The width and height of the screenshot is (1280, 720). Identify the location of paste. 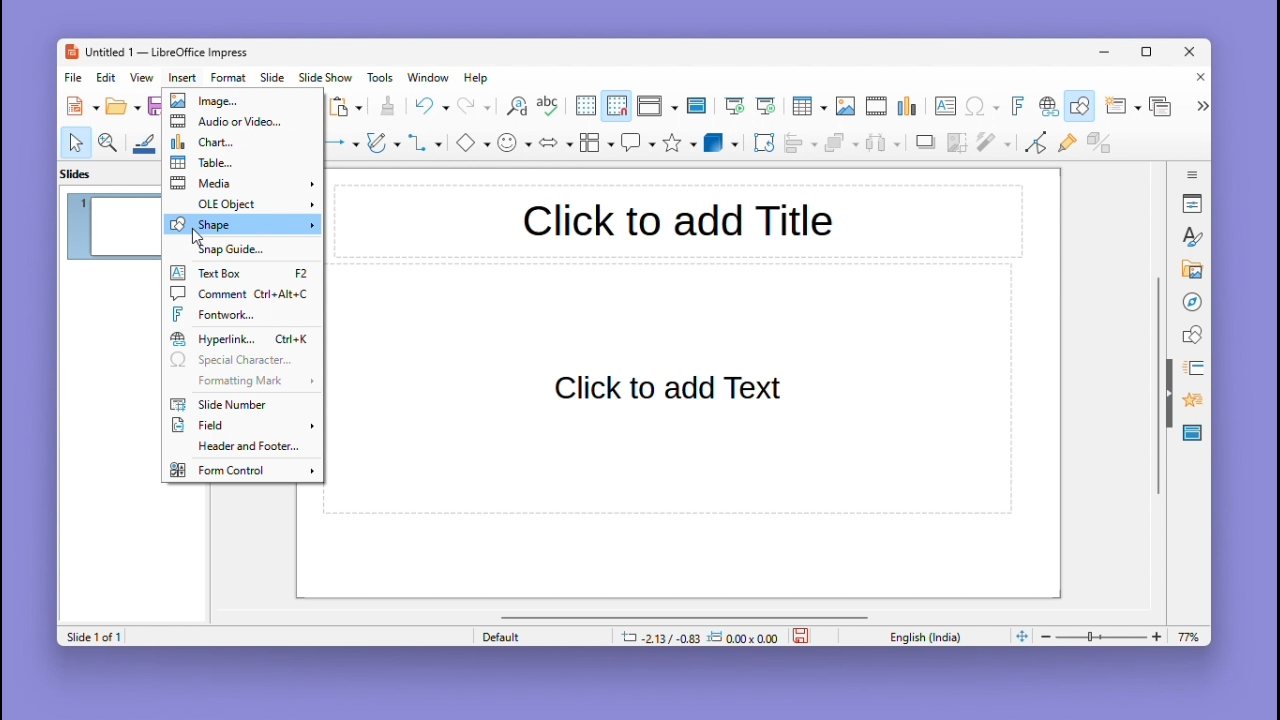
(347, 107).